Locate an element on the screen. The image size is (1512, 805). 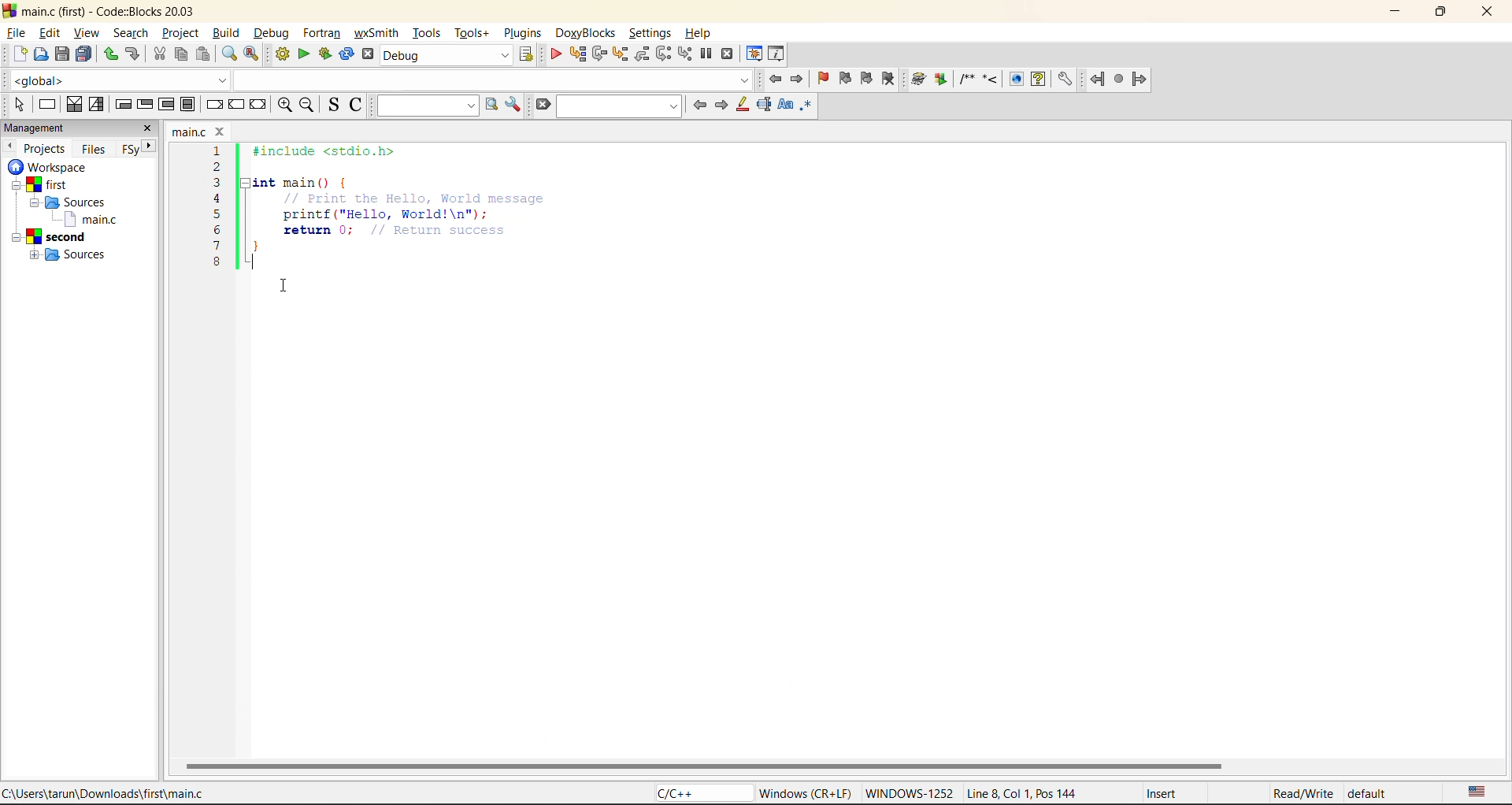
jump back is located at coordinates (773, 77).